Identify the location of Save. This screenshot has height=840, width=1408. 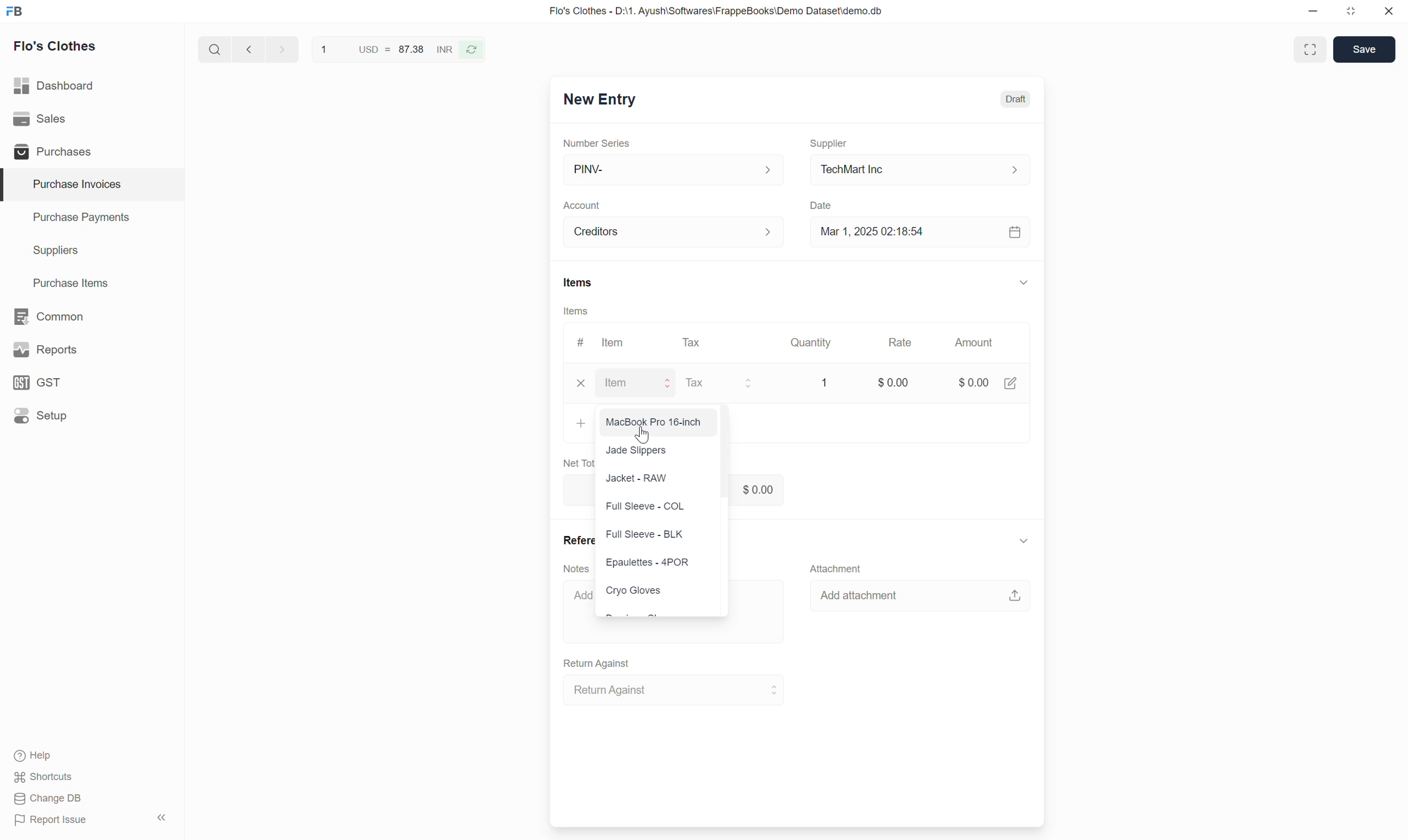
(1364, 49).